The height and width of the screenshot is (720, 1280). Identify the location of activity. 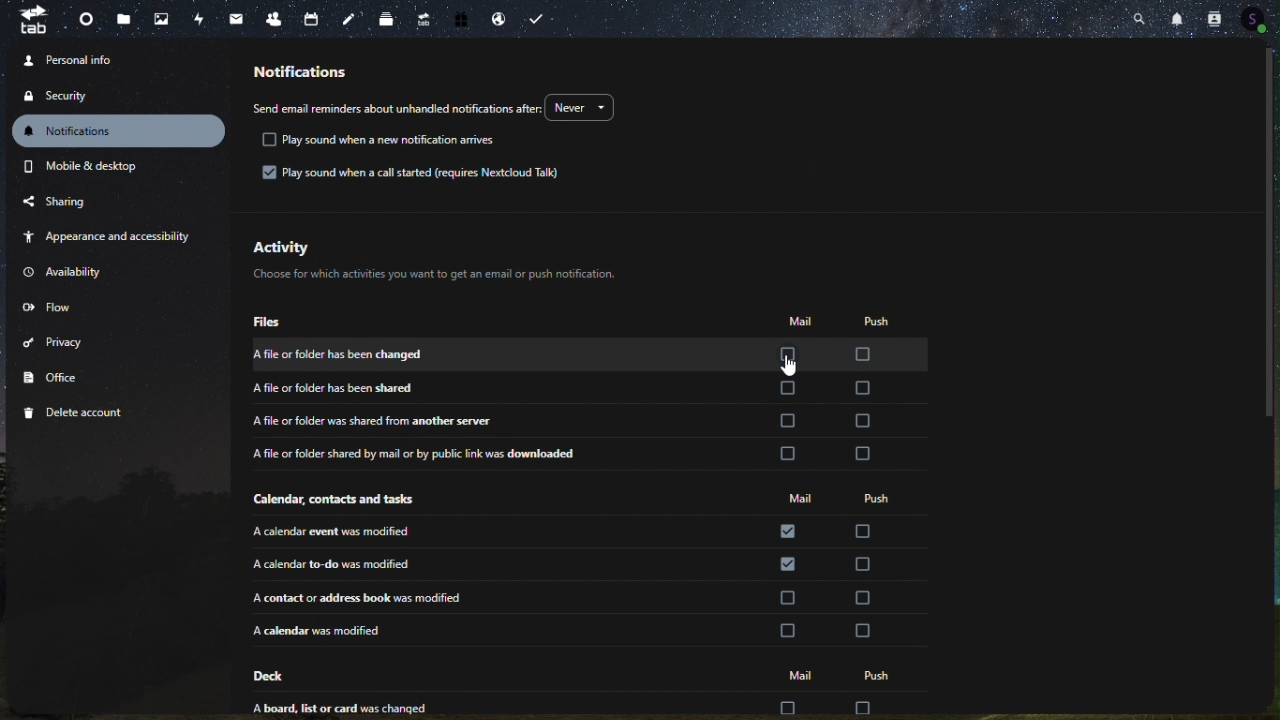
(196, 16).